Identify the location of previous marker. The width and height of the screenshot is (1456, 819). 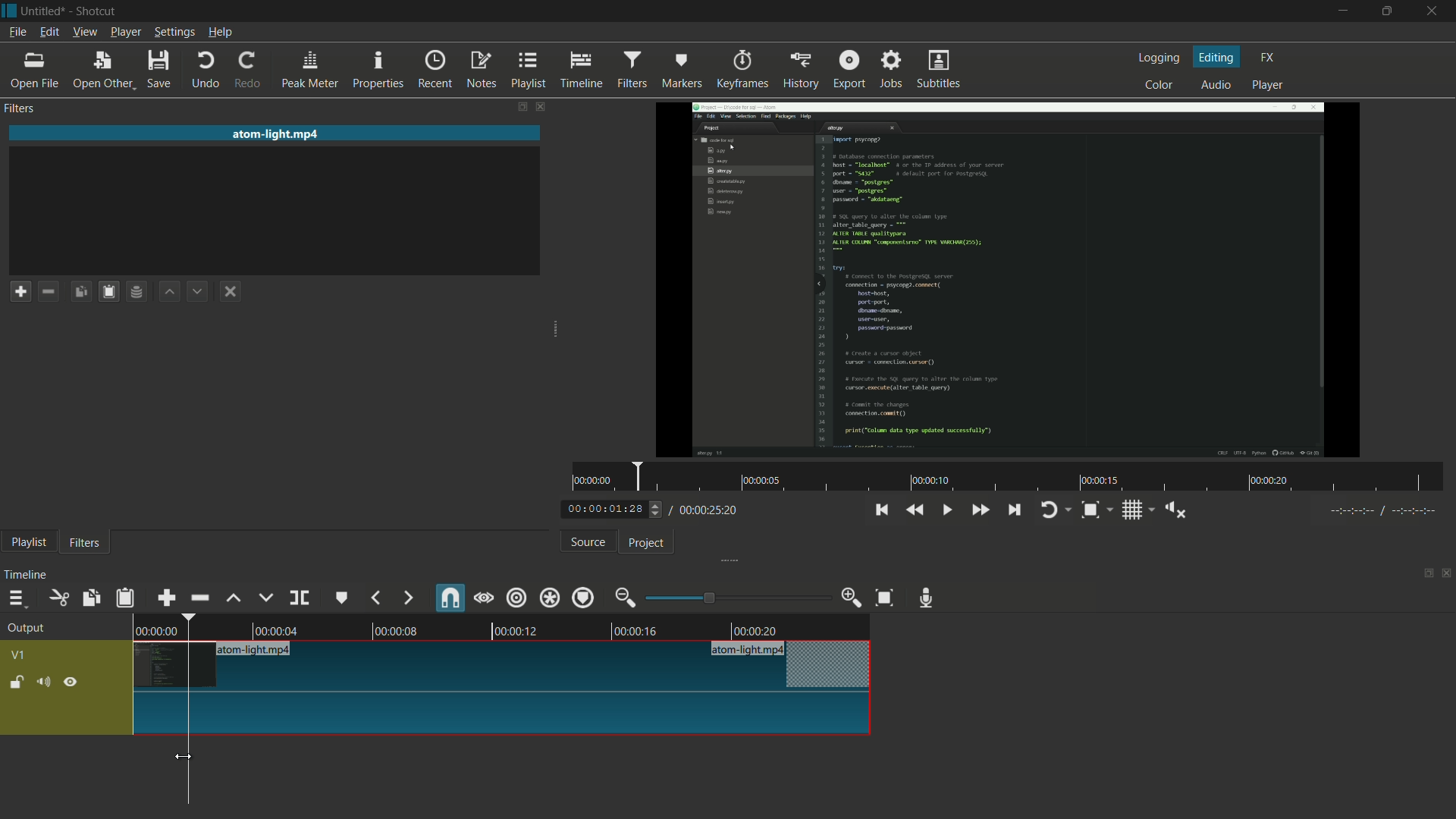
(377, 598).